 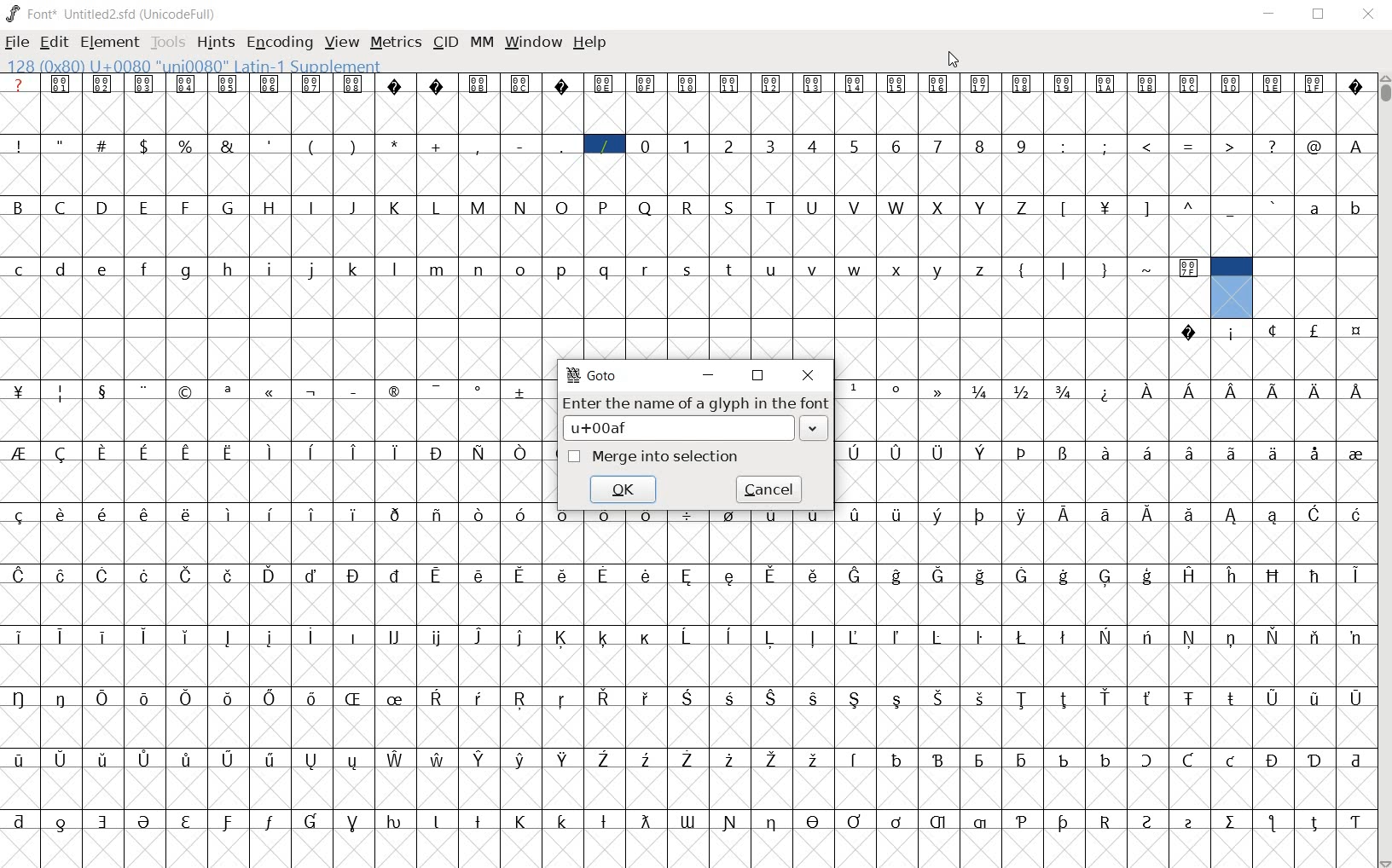 I want to click on t, so click(x=730, y=268).